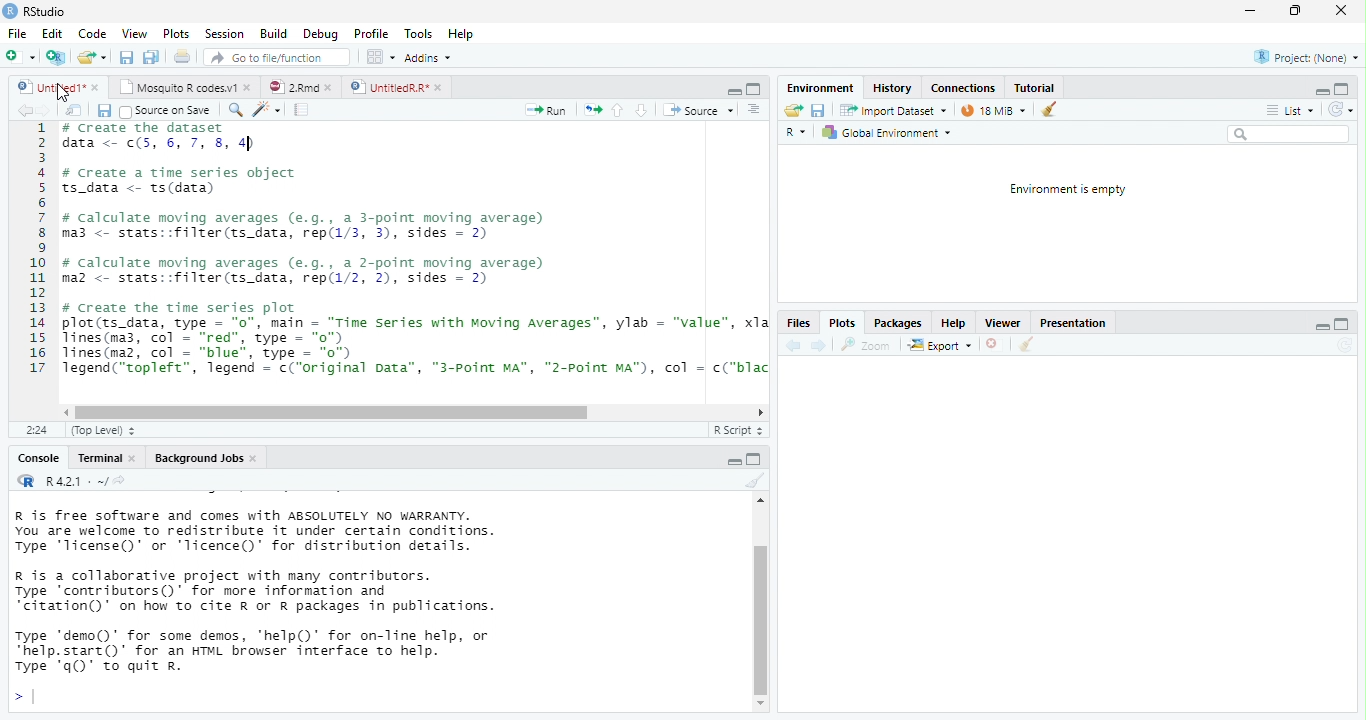  Describe the element at coordinates (24, 480) in the screenshot. I see `R` at that location.